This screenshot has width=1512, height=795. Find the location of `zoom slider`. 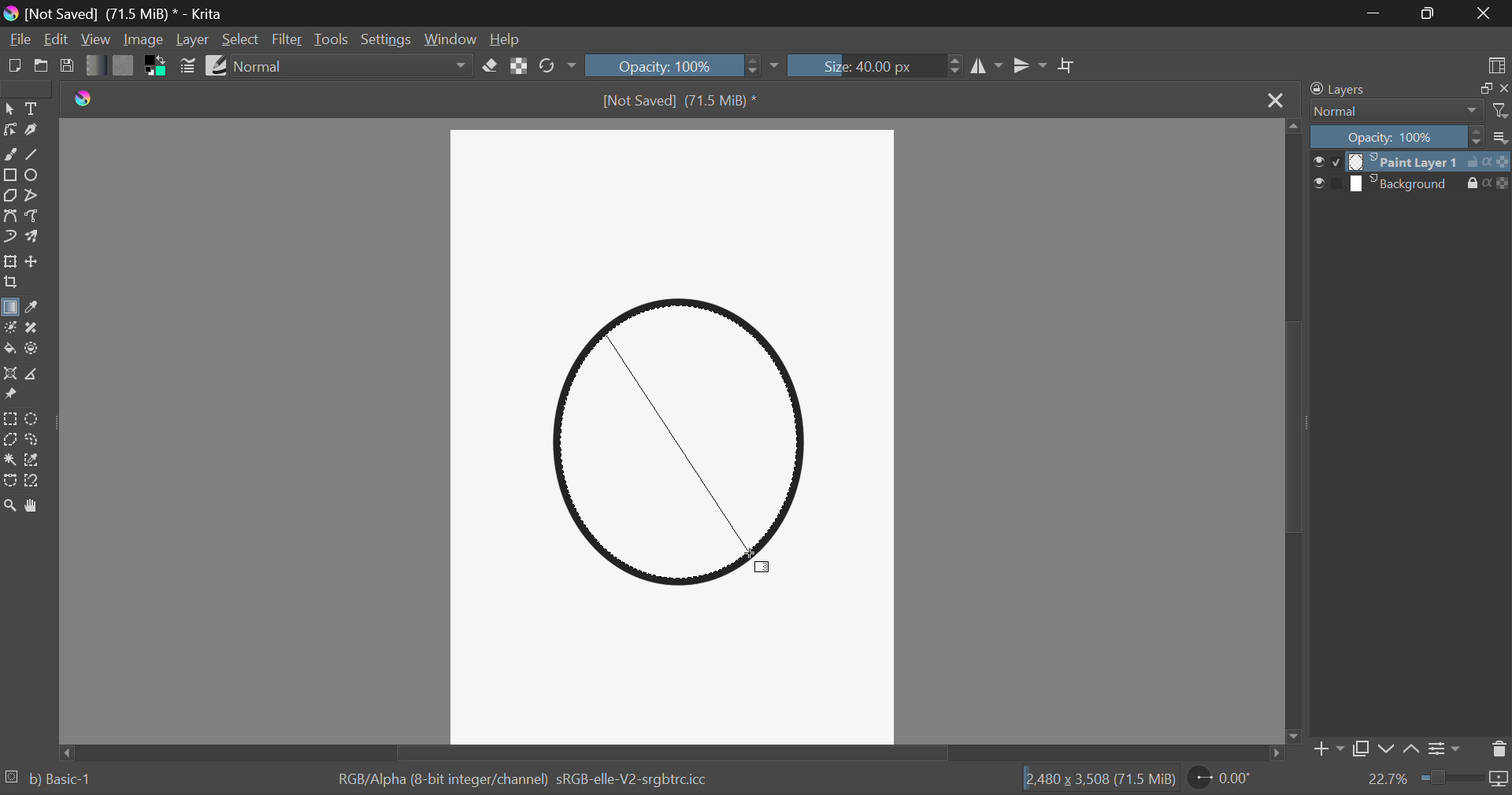

zoom slider is located at coordinates (1453, 776).